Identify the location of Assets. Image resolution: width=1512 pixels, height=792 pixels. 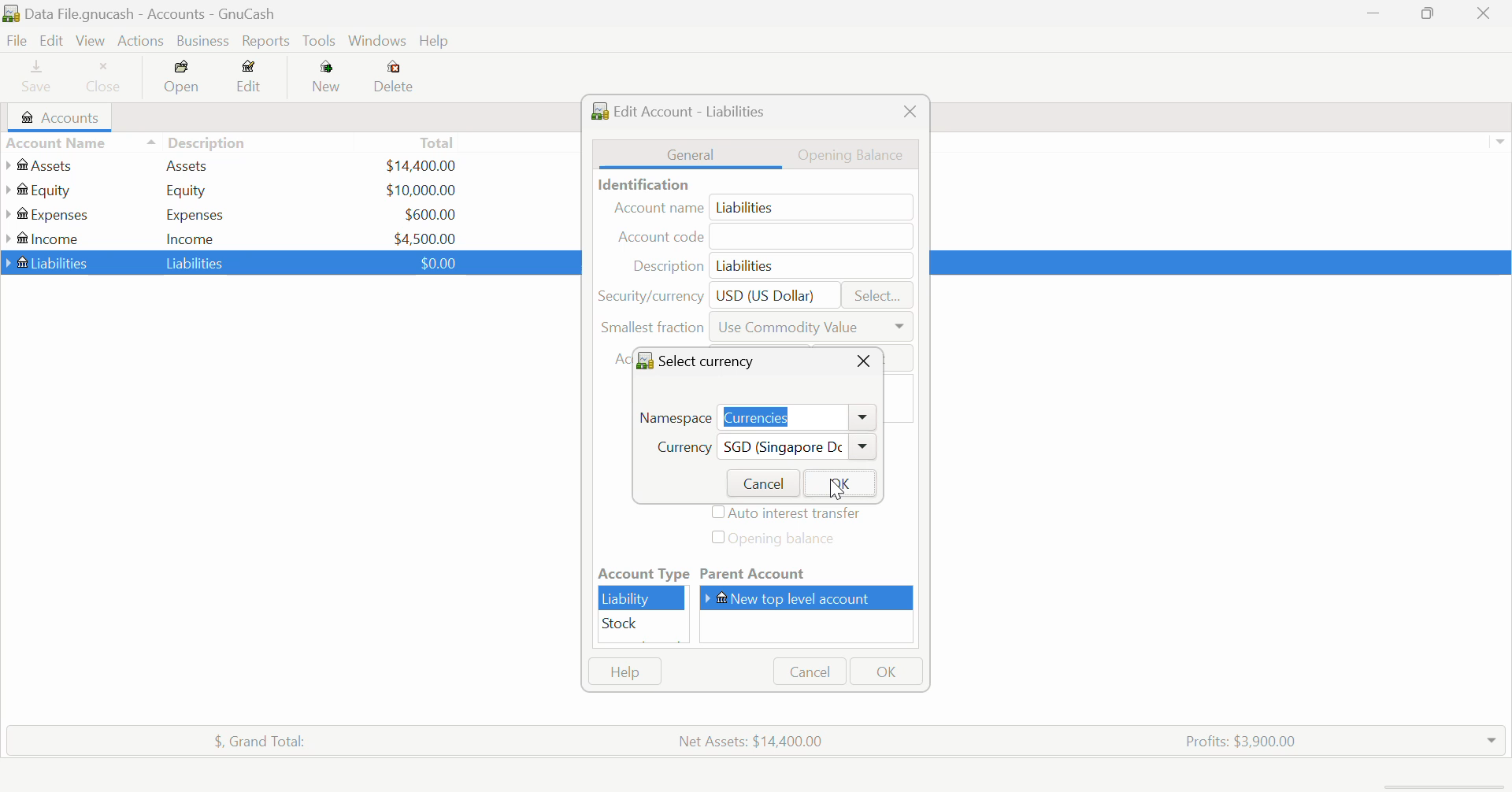
(187, 165).